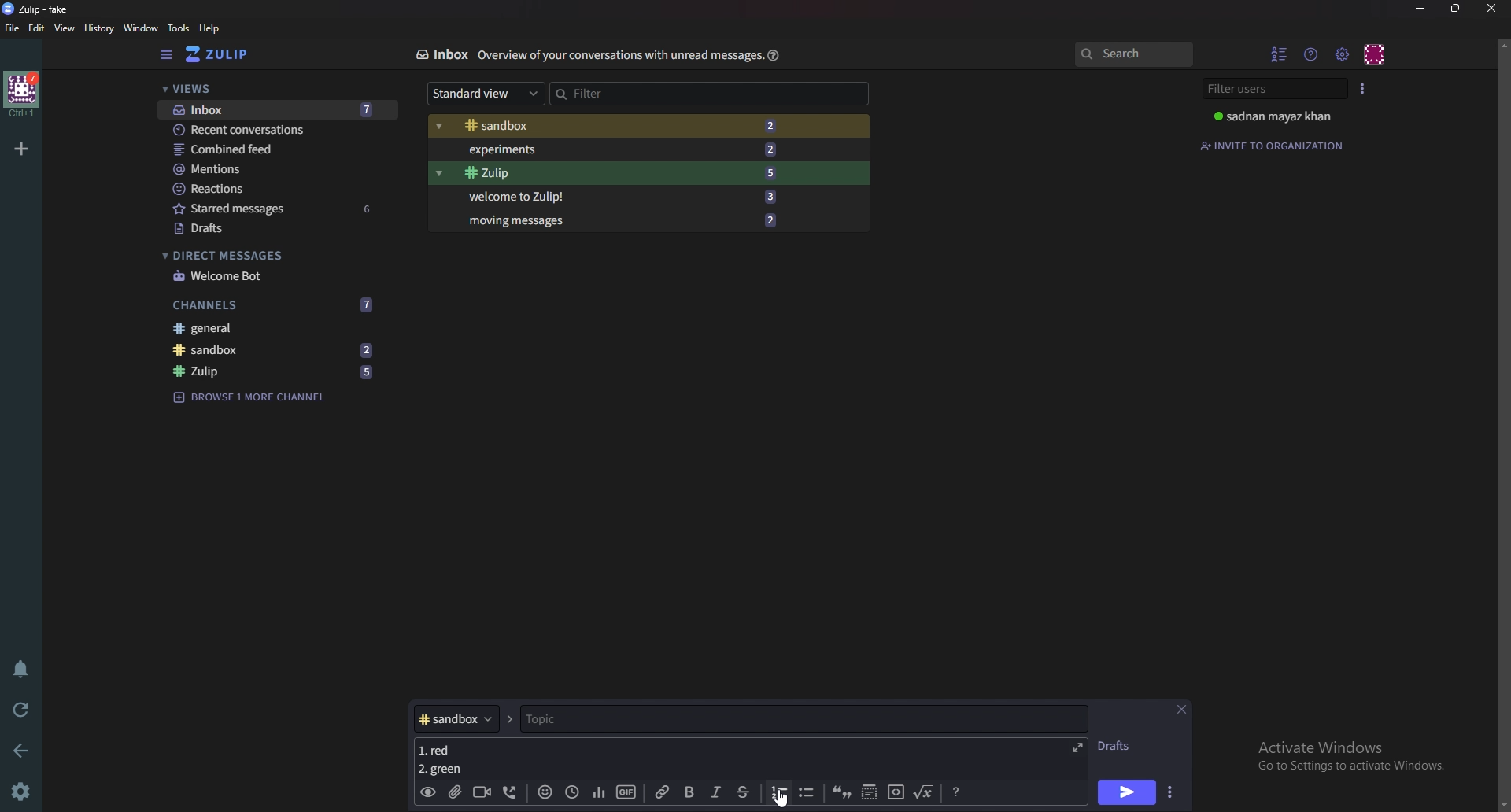 The height and width of the screenshot is (812, 1511). What do you see at coordinates (139, 28) in the screenshot?
I see `Window` at bounding box center [139, 28].